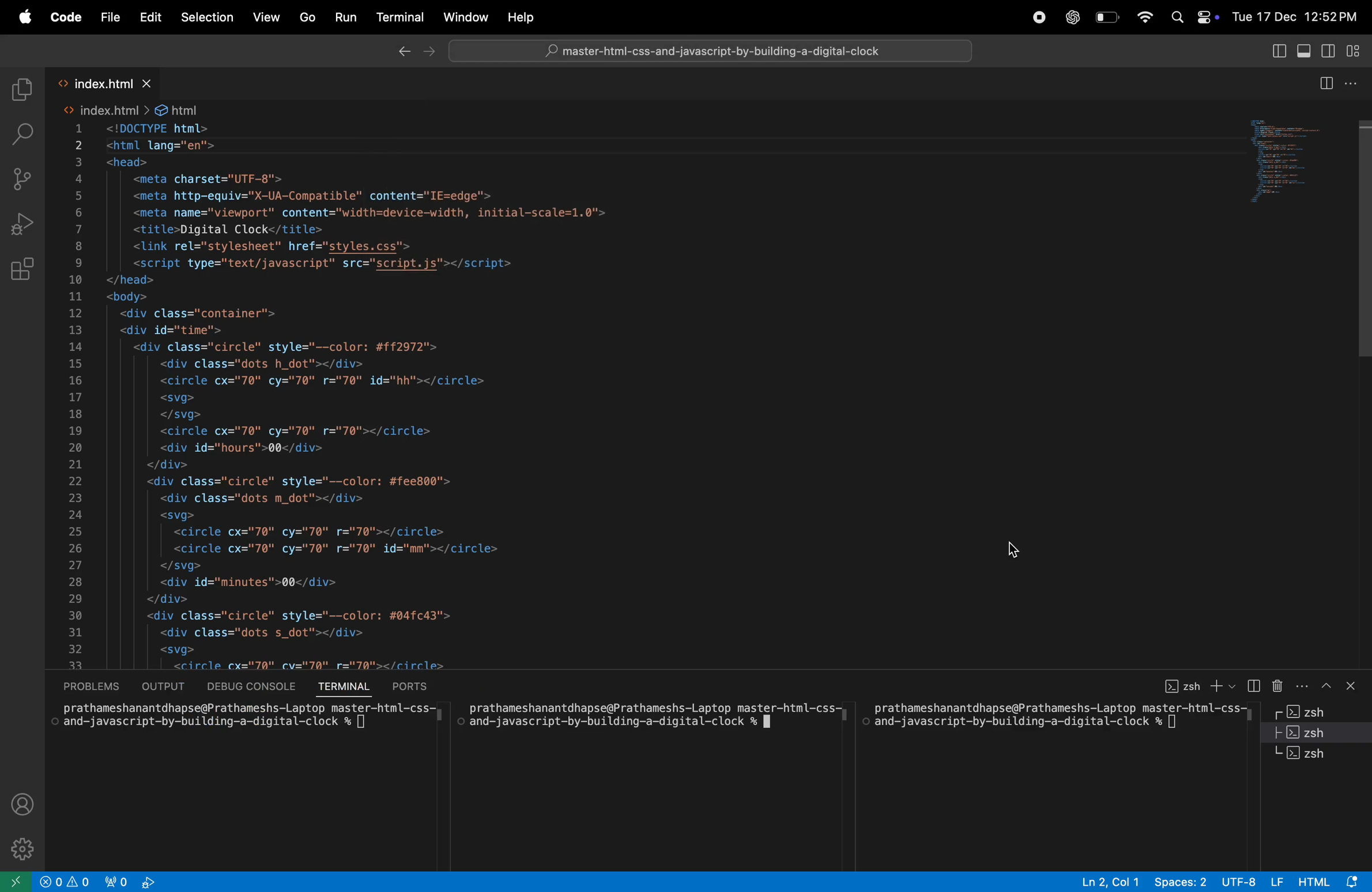 The height and width of the screenshot is (892, 1372). Describe the element at coordinates (24, 89) in the screenshot. I see `explore` at that location.